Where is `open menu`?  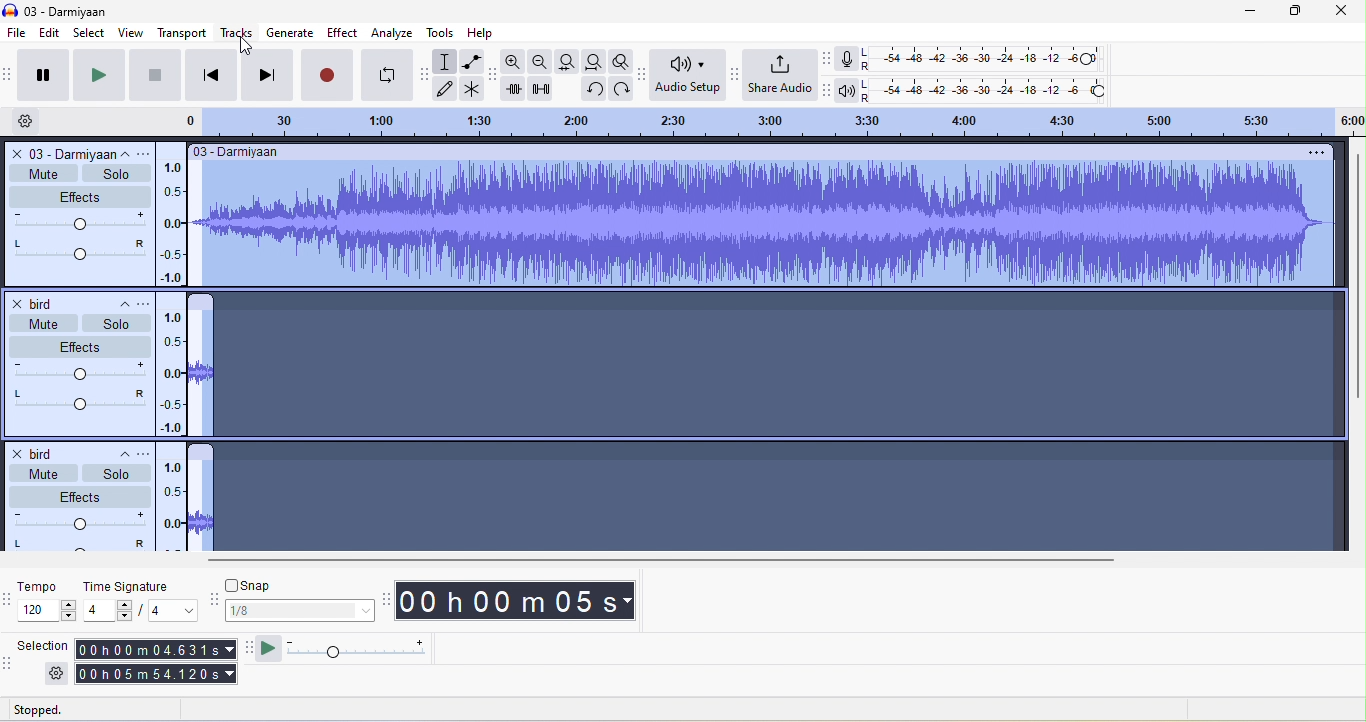 open menu is located at coordinates (149, 302).